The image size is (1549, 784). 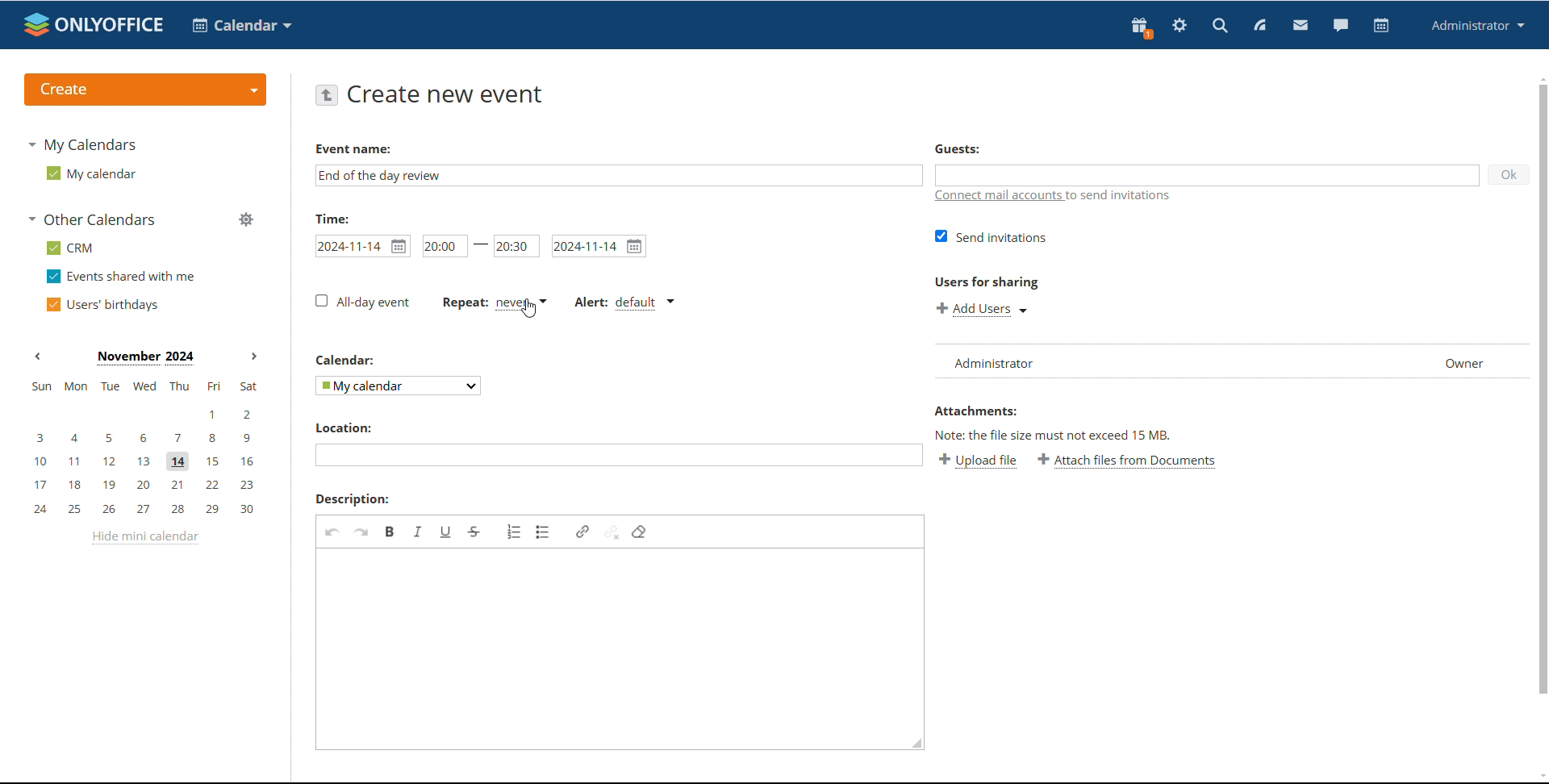 I want to click on strikethrough, so click(x=474, y=532).